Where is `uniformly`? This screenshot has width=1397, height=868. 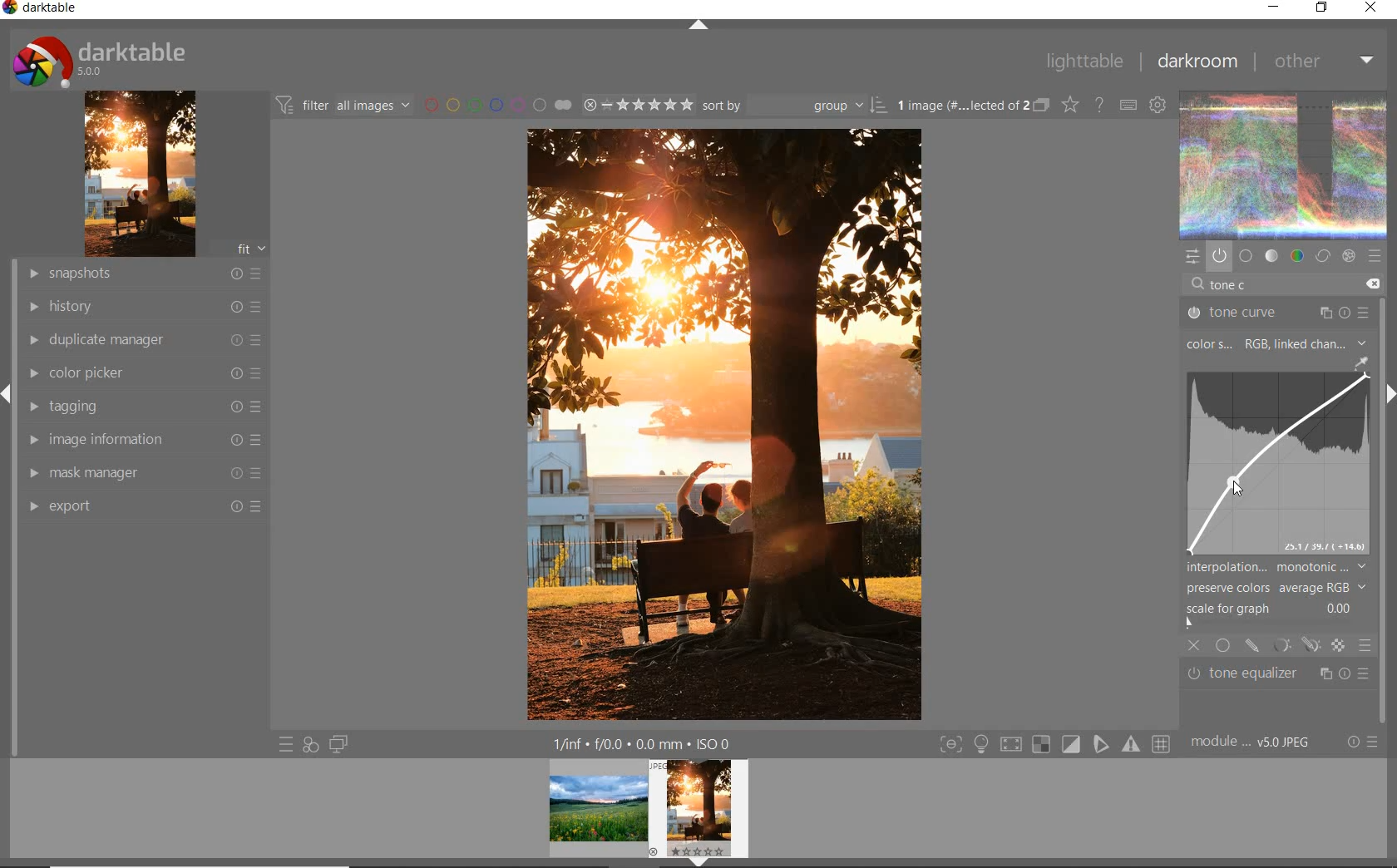 uniformly is located at coordinates (1222, 645).